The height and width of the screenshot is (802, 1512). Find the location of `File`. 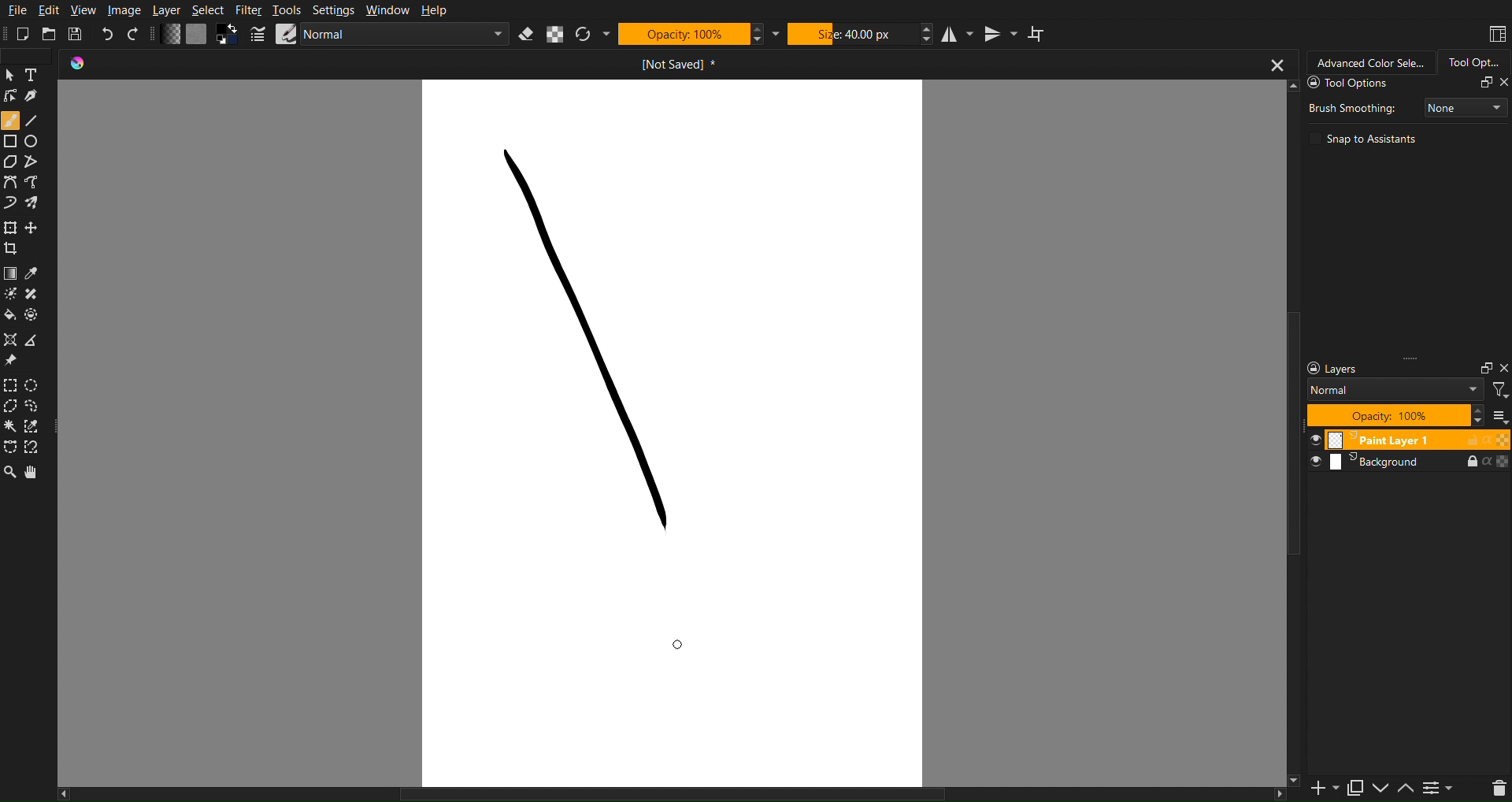

File is located at coordinates (15, 9).